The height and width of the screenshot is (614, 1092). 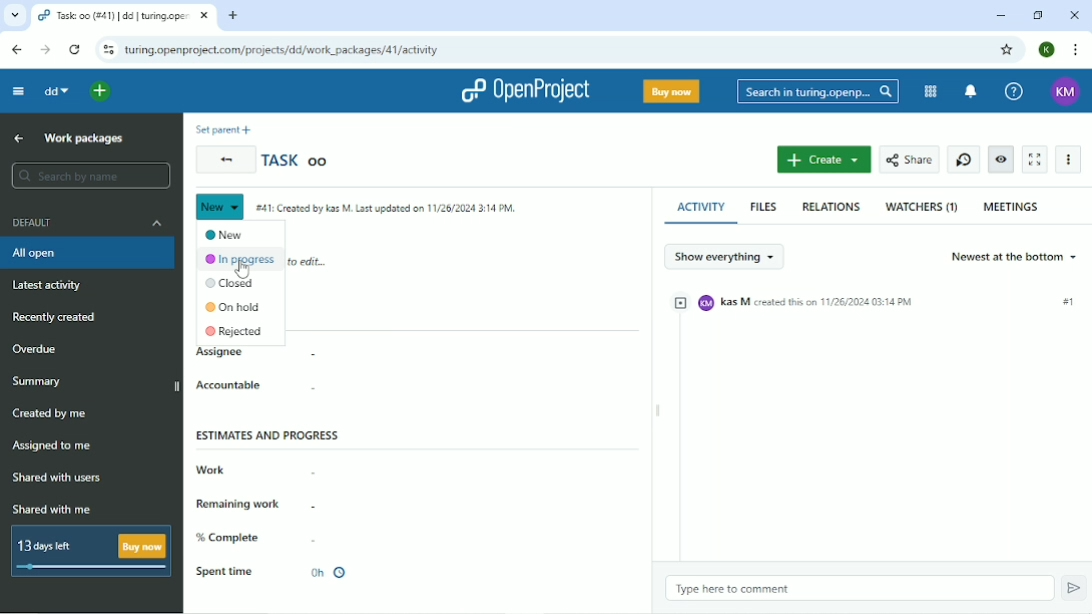 I want to click on KM, so click(x=1066, y=91).